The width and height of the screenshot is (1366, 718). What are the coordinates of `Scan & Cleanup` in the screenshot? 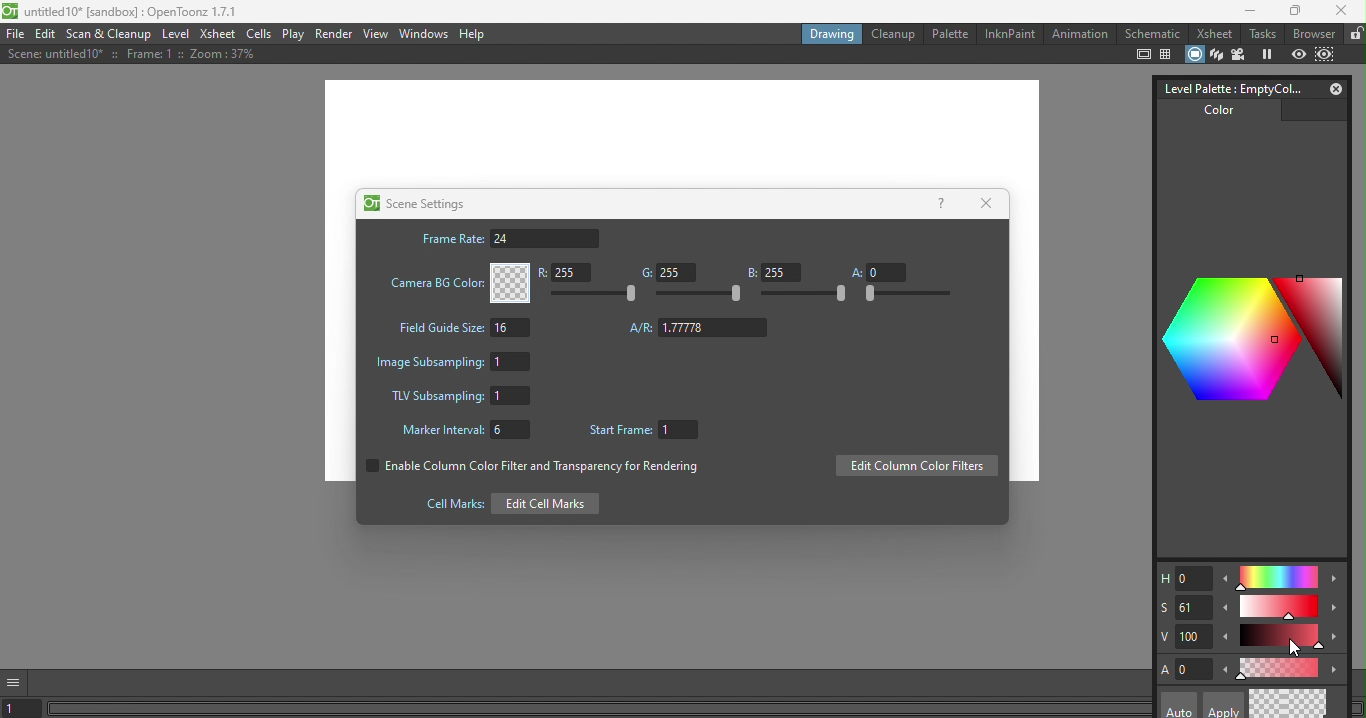 It's located at (113, 34).